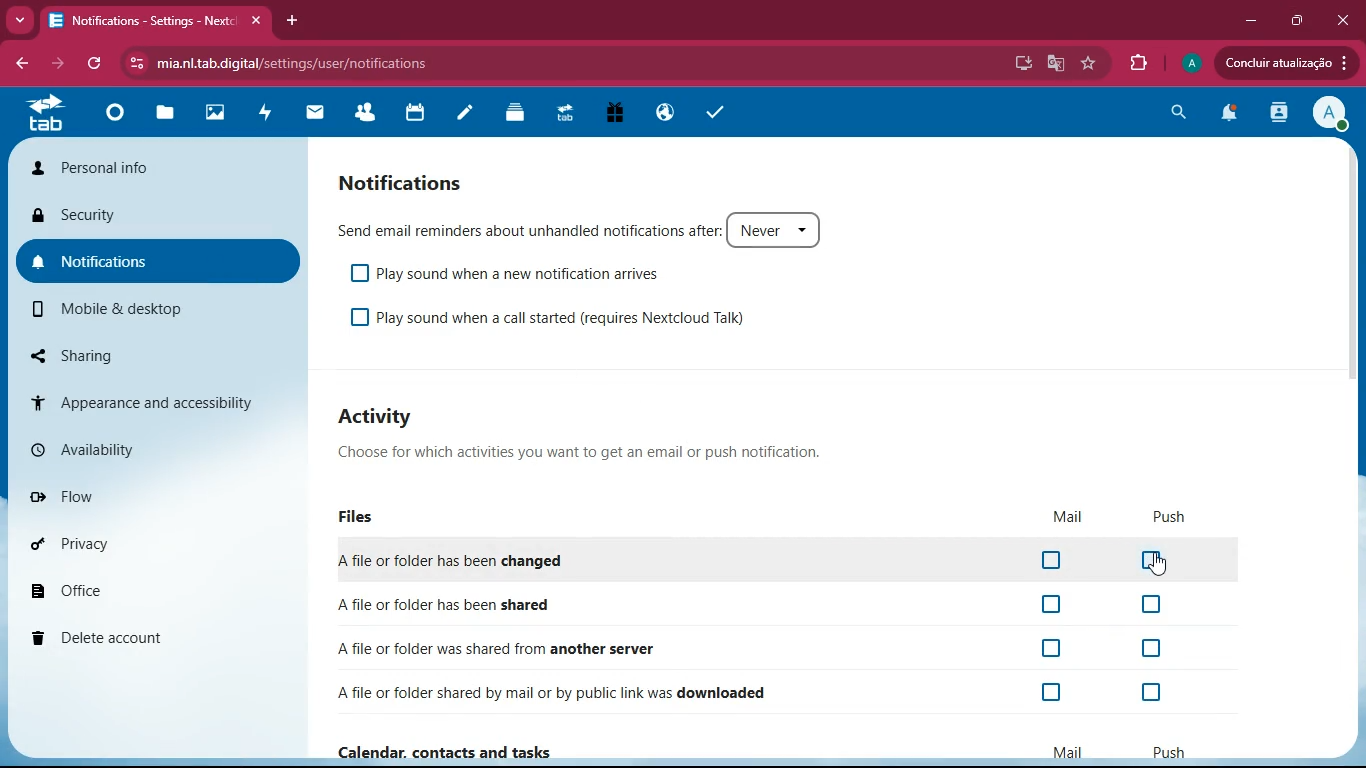 The height and width of the screenshot is (768, 1366). I want to click on maximize, so click(1296, 22).